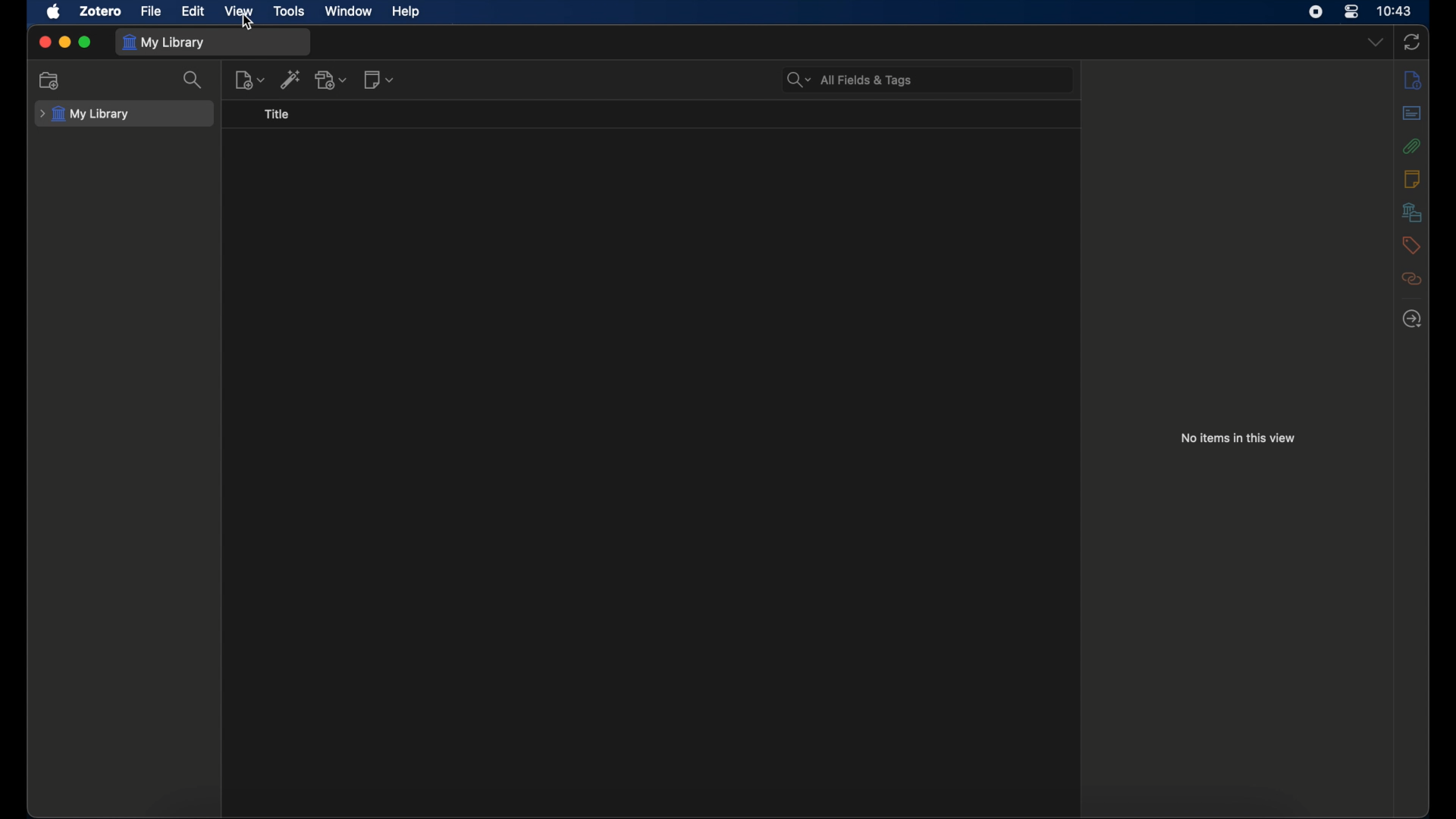  Describe the element at coordinates (1412, 179) in the screenshot. I see `notes` at that location.